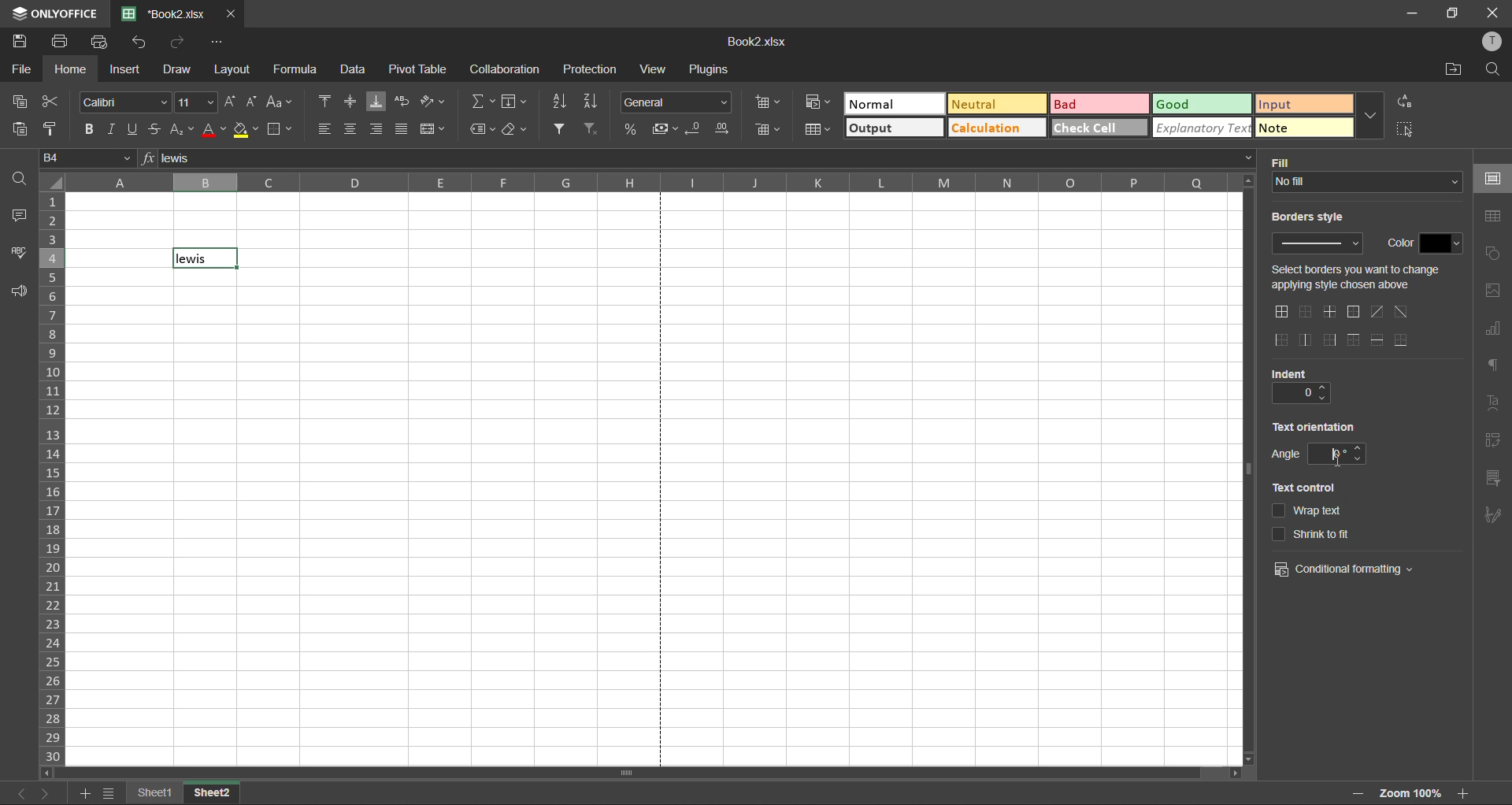 The height and width of the screenshot is (805, 1512). Describe the element at coordinates (1284, 456) in the screenshot. I see `angle` at that location.